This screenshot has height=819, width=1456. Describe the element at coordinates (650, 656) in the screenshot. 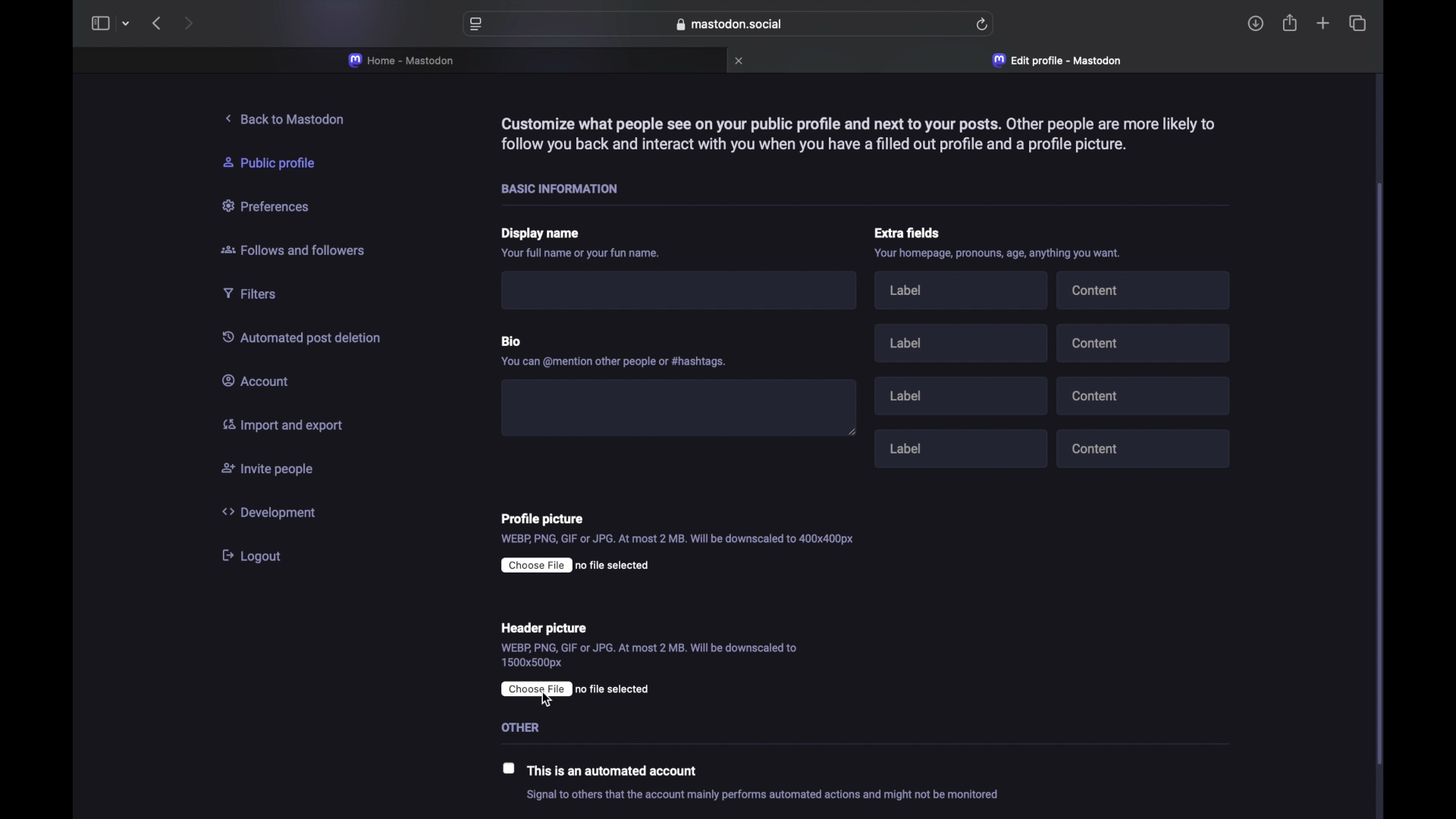

I see `WEBP, PNG, GIF or JPG. At most 2 MB. Will be downscaled to
1500x500px` at that location.